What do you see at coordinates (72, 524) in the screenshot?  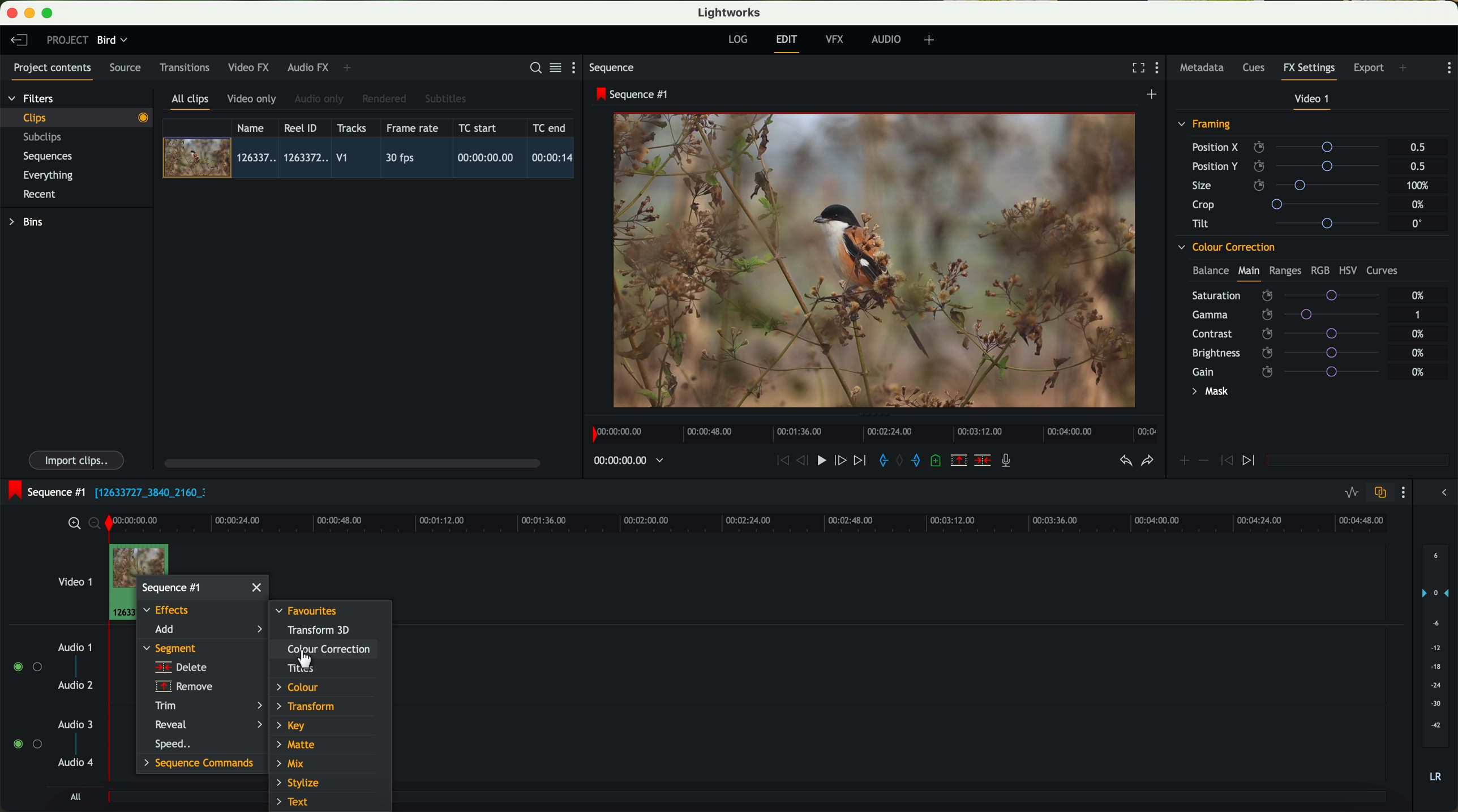 I see `zoom in` at bounding box center [72, 524].